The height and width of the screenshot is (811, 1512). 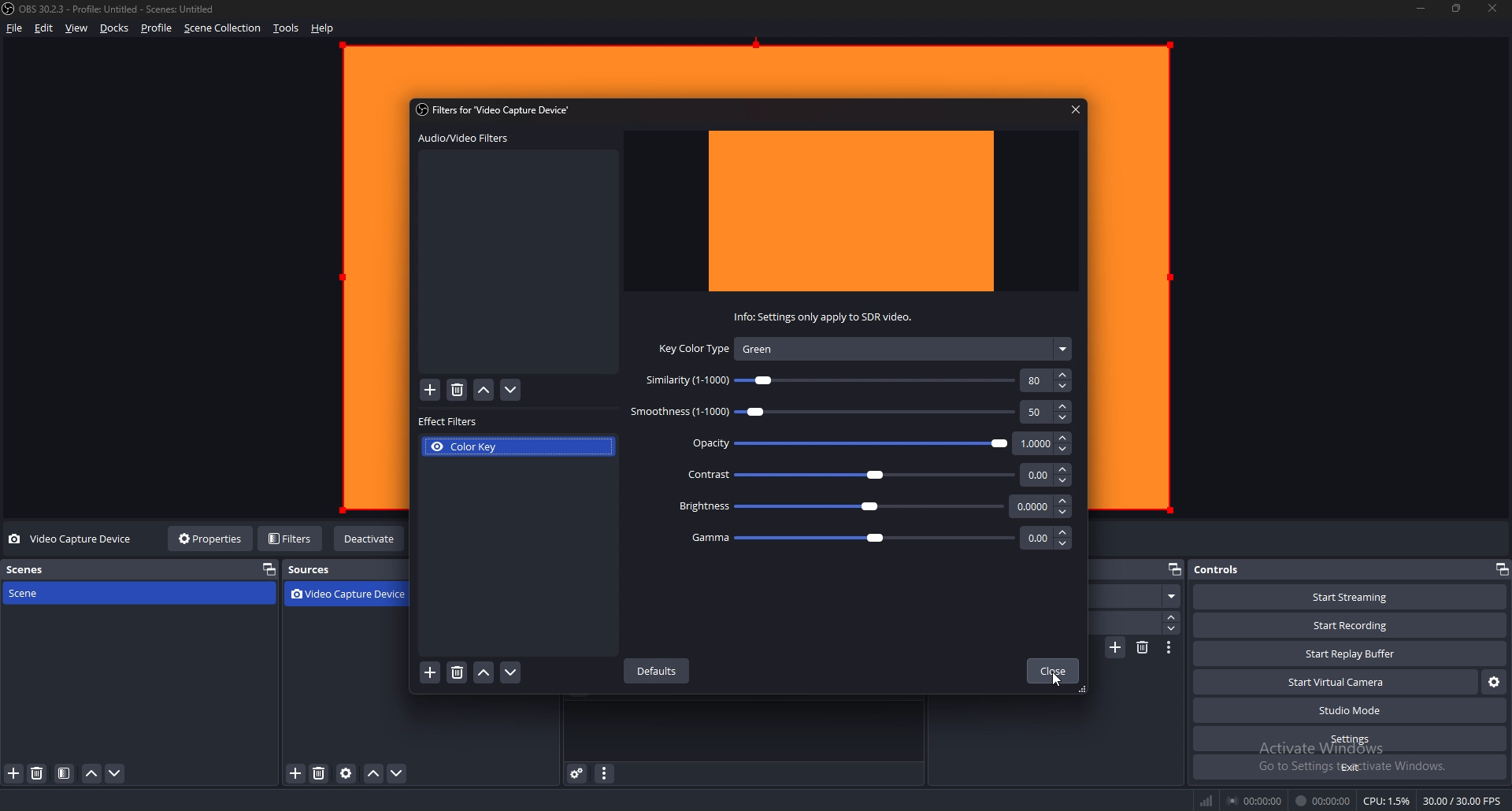 What do you see at coordinates (1143, 647) in the screenshot?
I see `delete transition` at bounding box center [1143, 647].